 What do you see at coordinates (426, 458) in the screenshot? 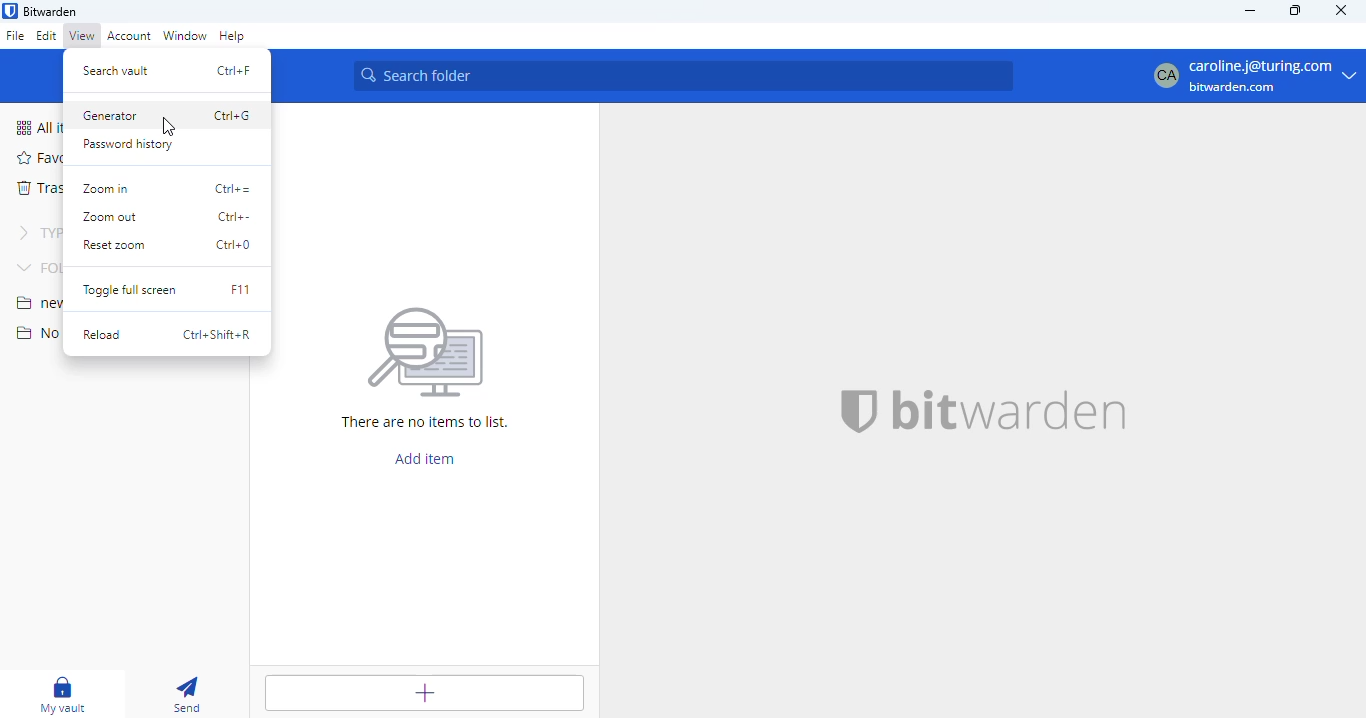
I see `add item` at bounding box center [426, 458].